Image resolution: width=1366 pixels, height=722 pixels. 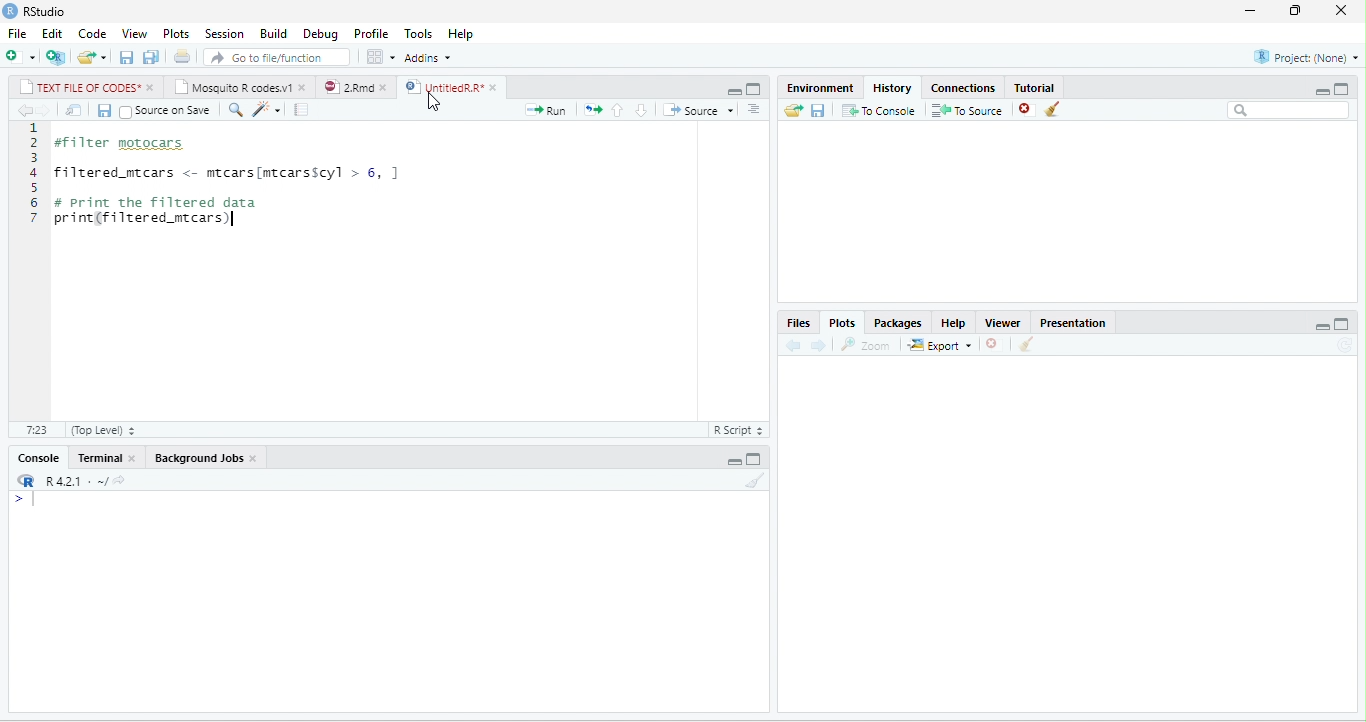 What do you see at coordinates (641, 110) in the screenshot?
I see `down` at bounding box center [641, 110].